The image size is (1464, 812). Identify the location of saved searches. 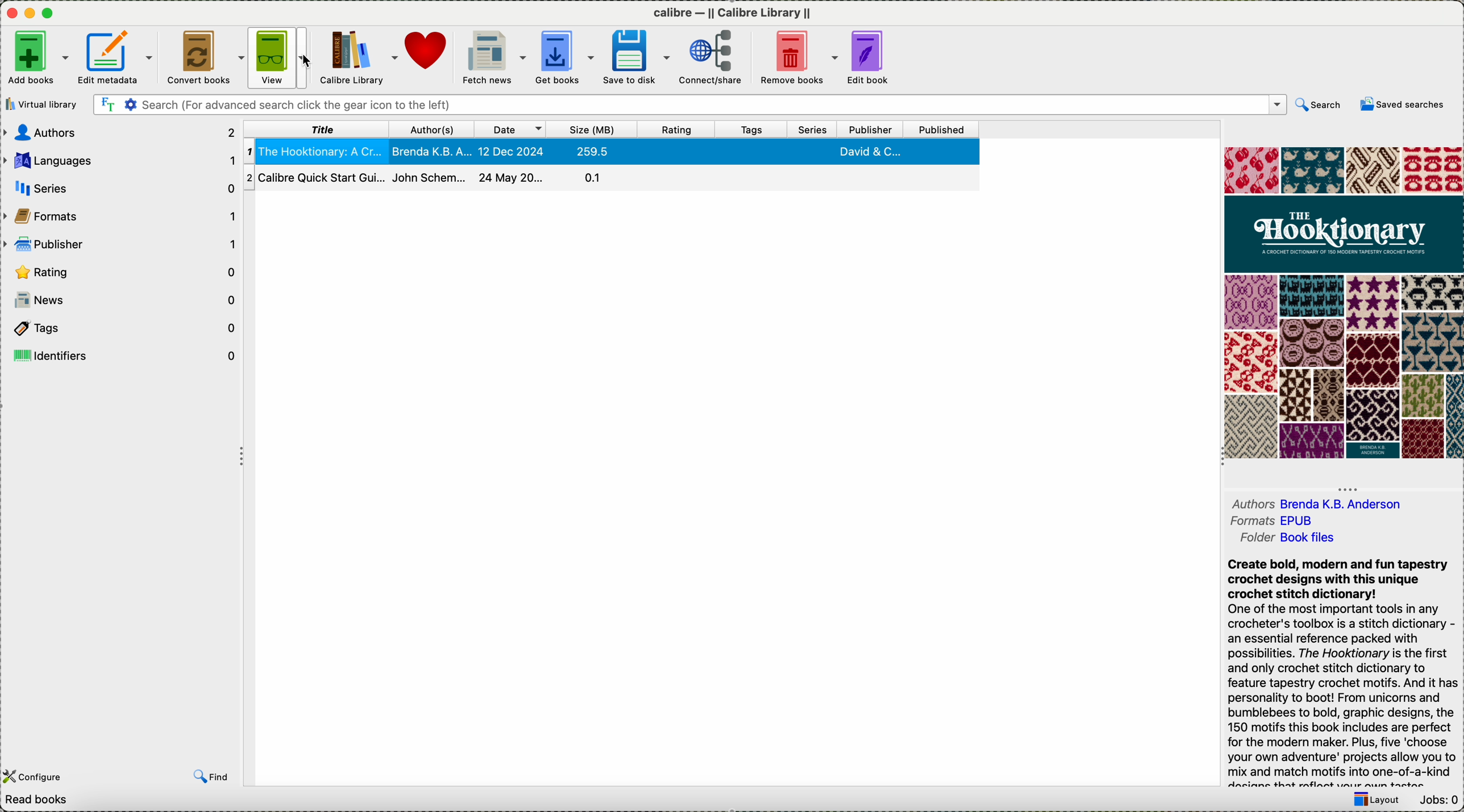
(1401, 104).